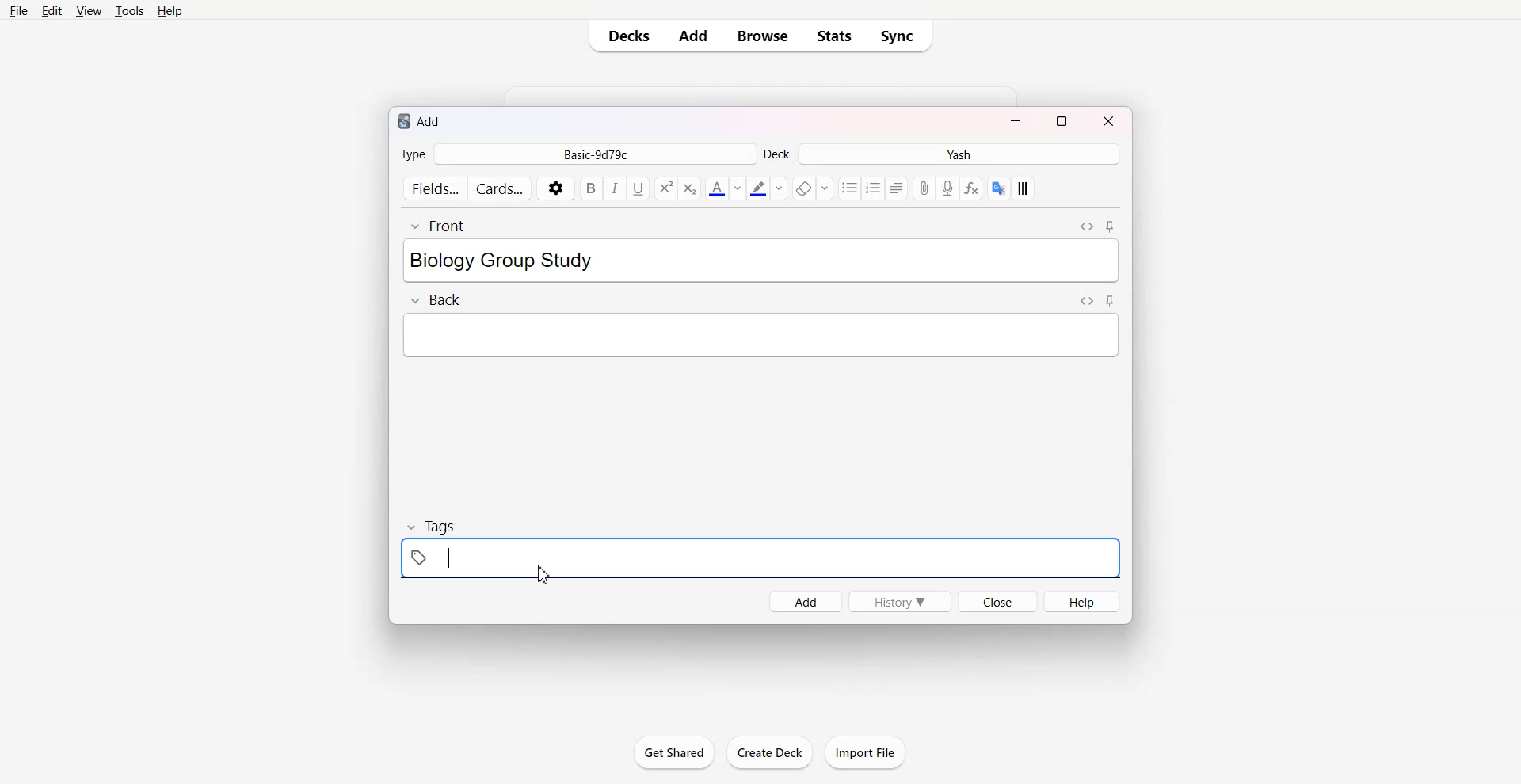  What do you see at coordinates (1081, 601) in the screenshot?
I see `Help` at bounding box center [1081, 601].